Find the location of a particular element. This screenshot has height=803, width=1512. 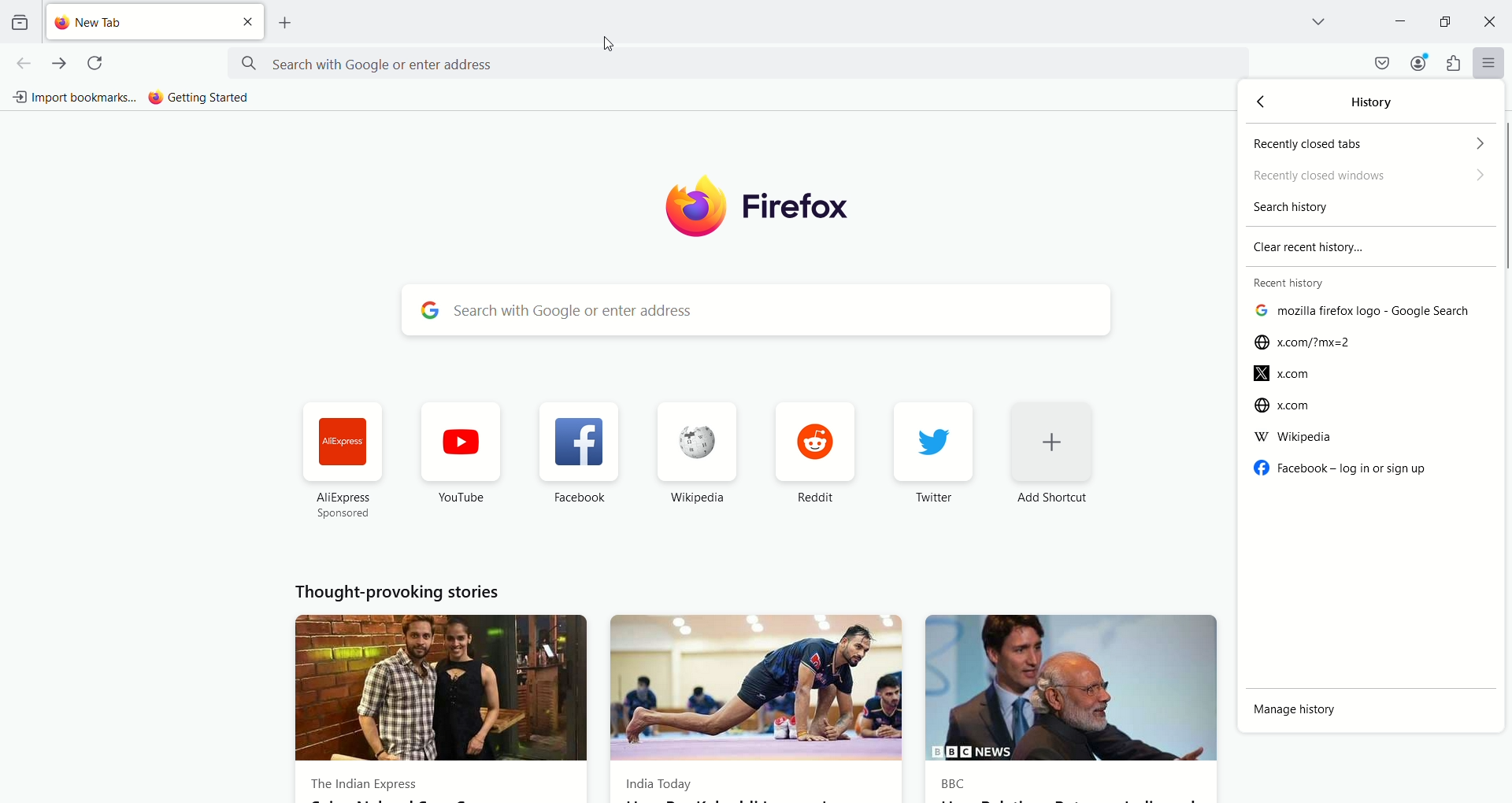

reddit is located at coordinates (821, 453).